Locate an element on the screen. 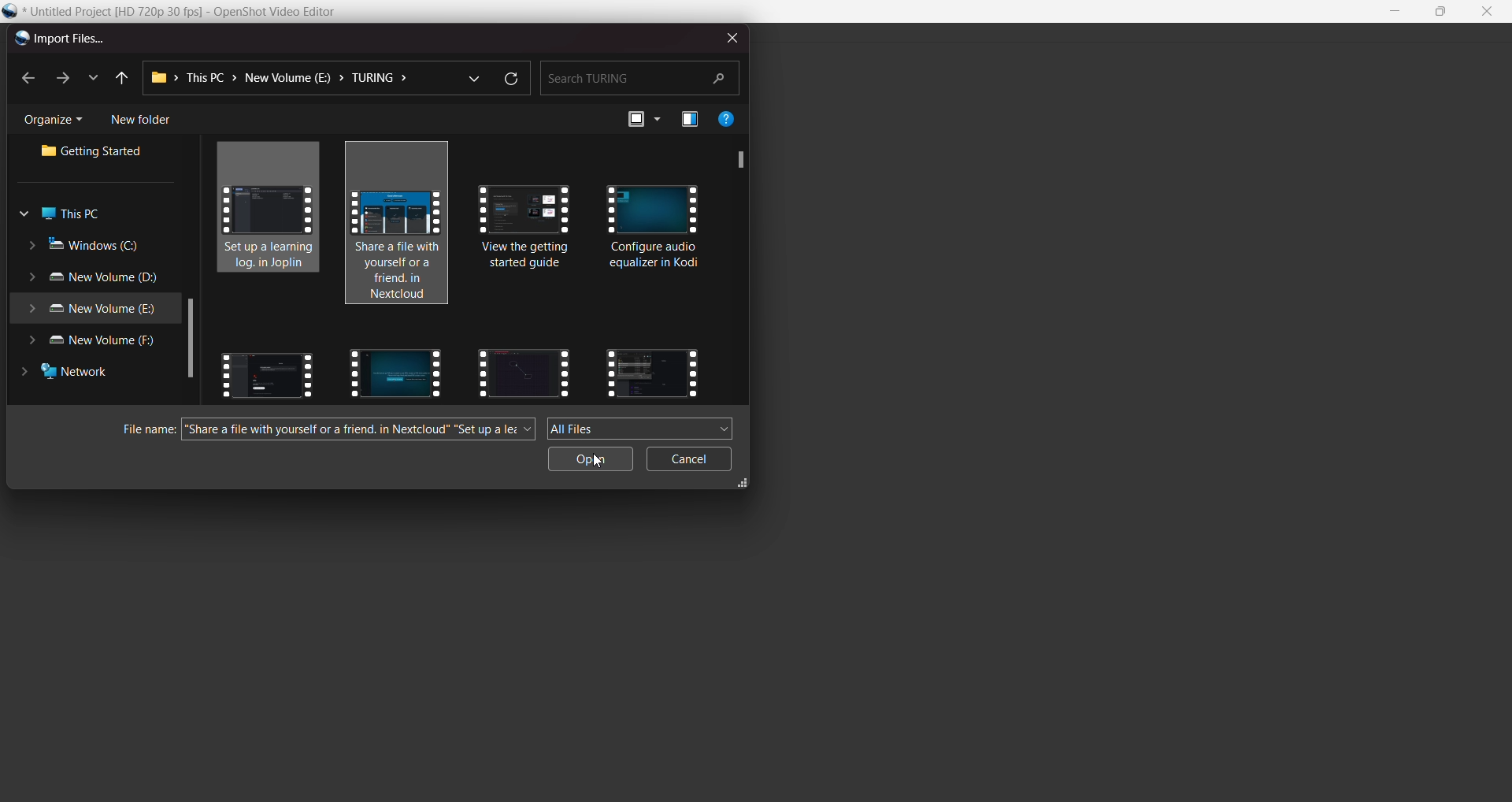 This screenshot has height=802, width=1512. refresh is located at coordinates (510, 80).